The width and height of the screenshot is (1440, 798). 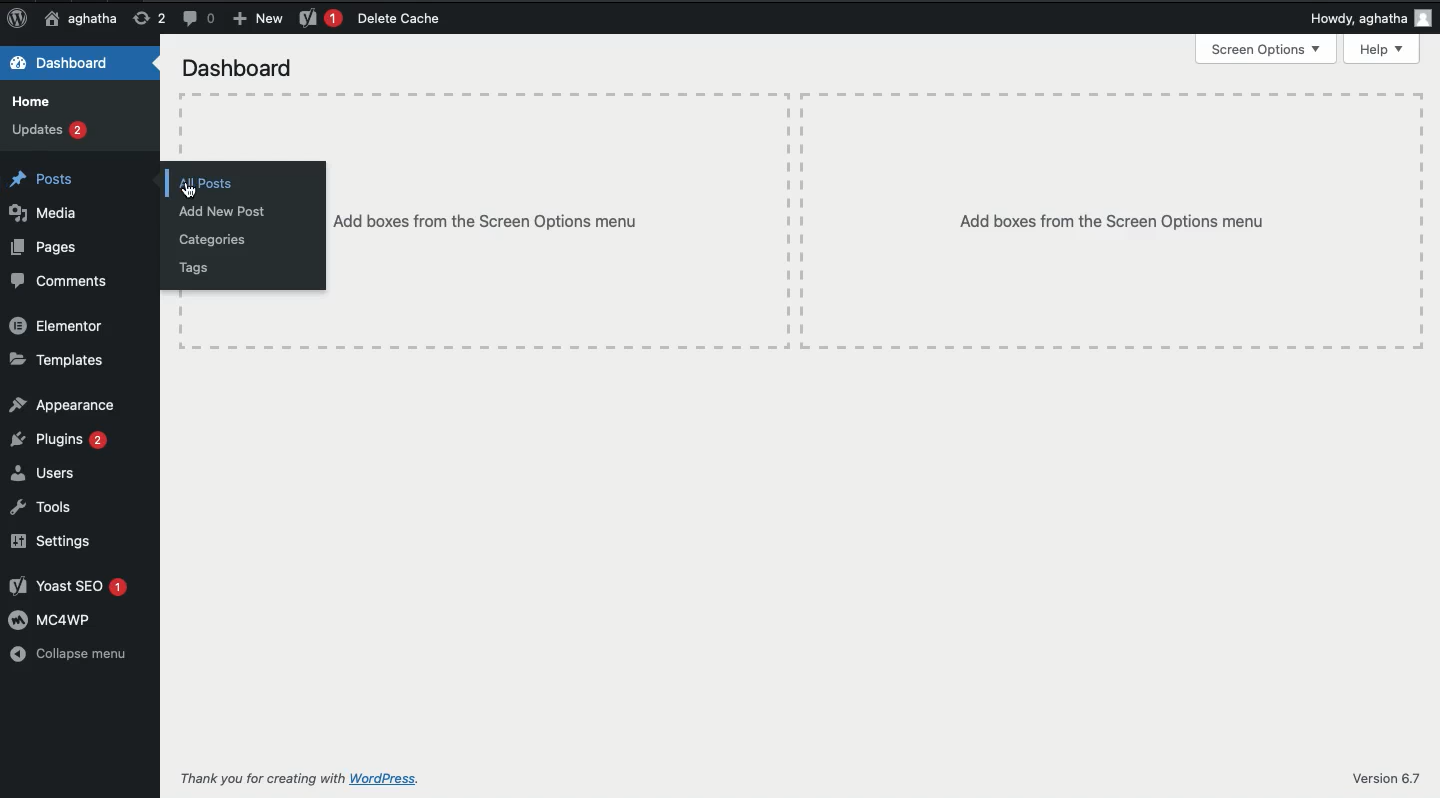 What do you see at coordinates (1387, 778) in the screenshot?
I see `Version 6.7` at bounding box center [1387, 778].